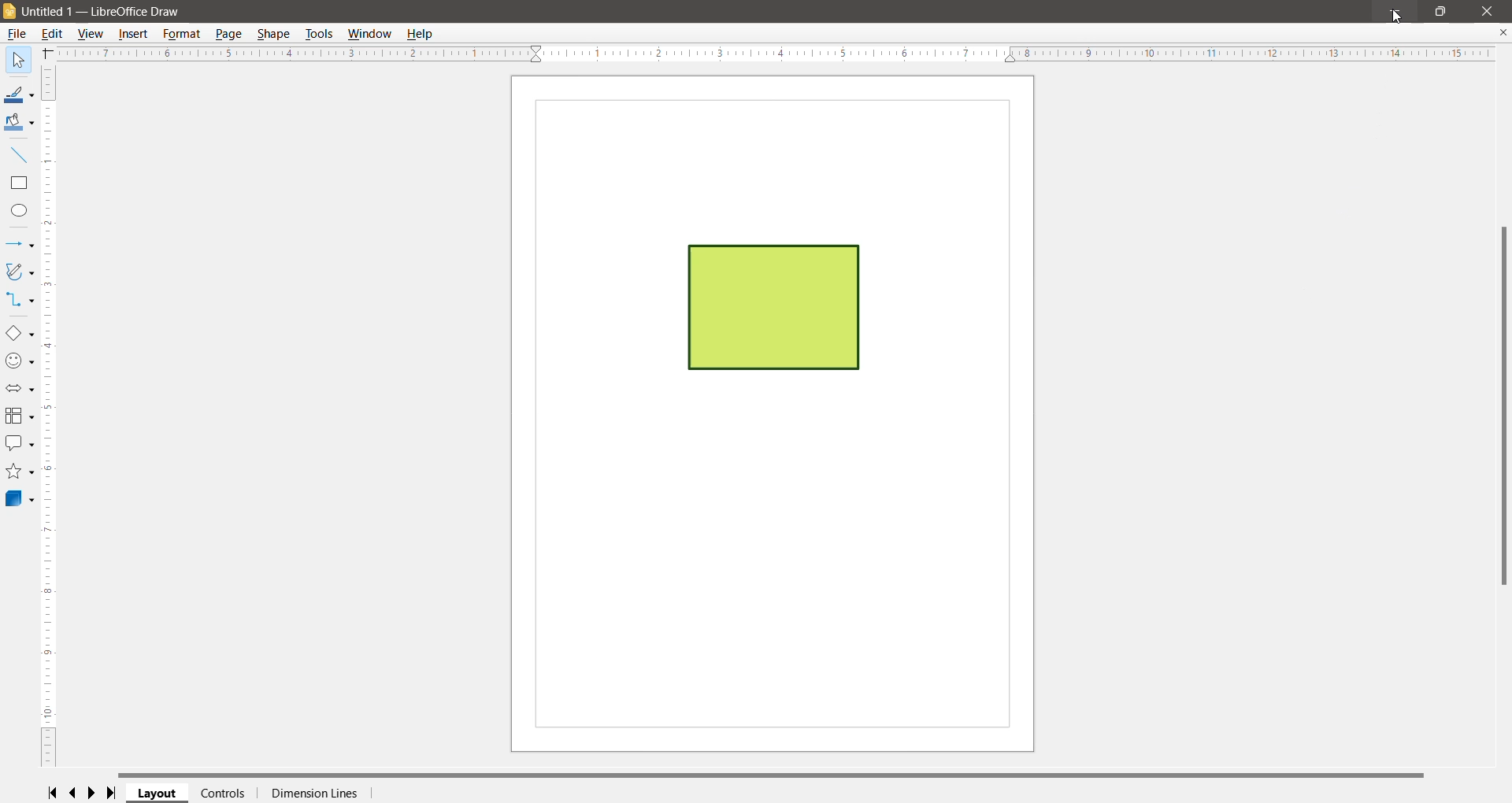  Describe the element at coordinates (54, 34) in the screenshot. I see `Edit` at that location.